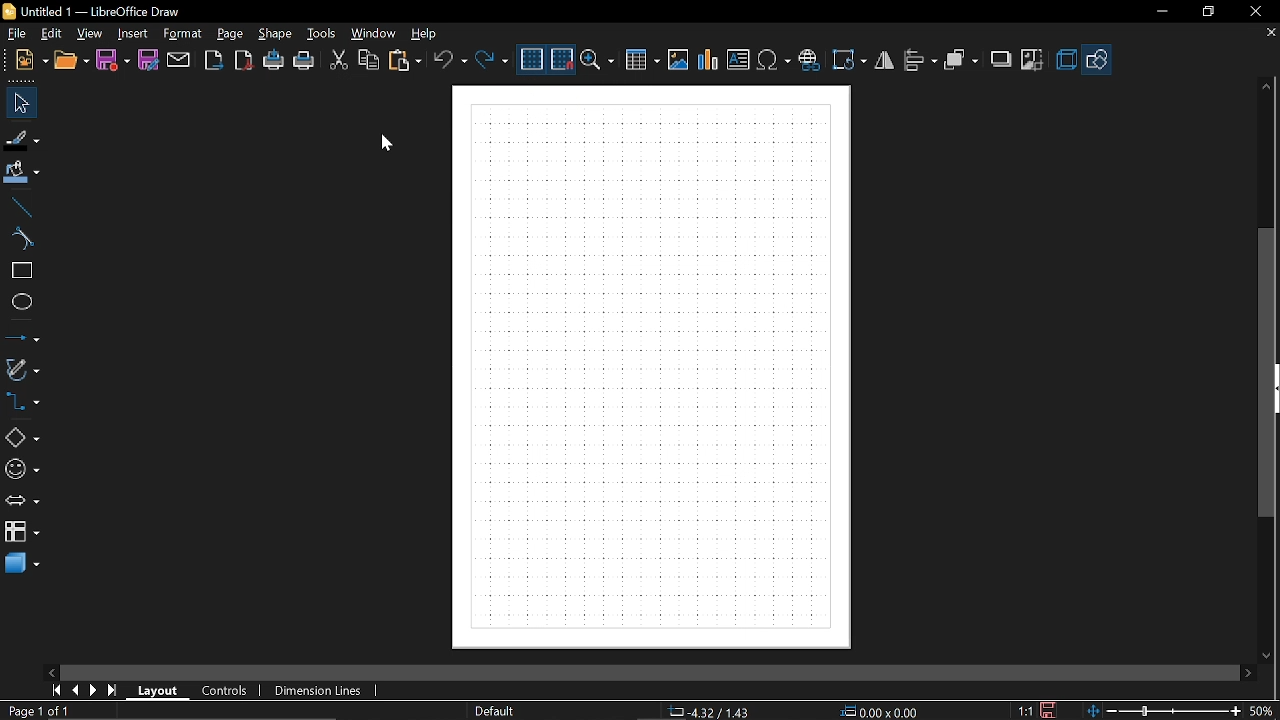 The width and height of the screenshot is (1280, 720). Describe the element at coordinates (159, 692) in the screenshot. I see `layout` at that location.